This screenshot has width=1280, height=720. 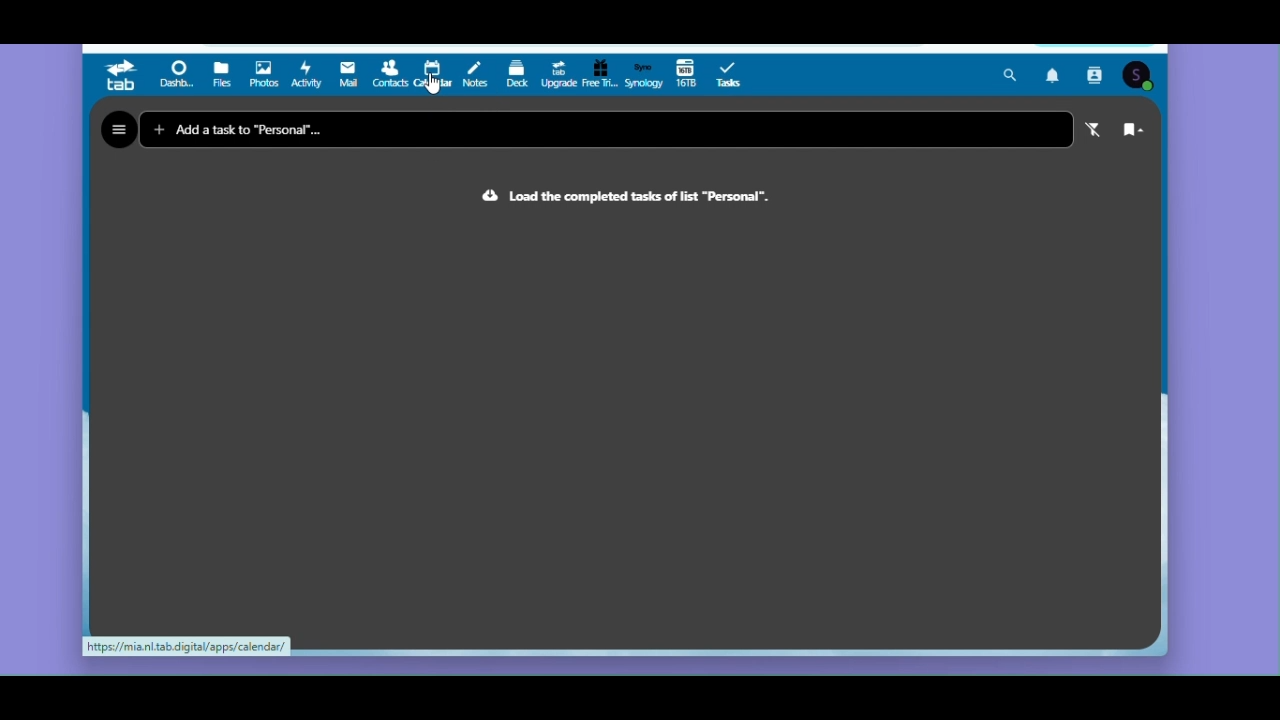 I want to click on Files, so click(x=223, y=76).